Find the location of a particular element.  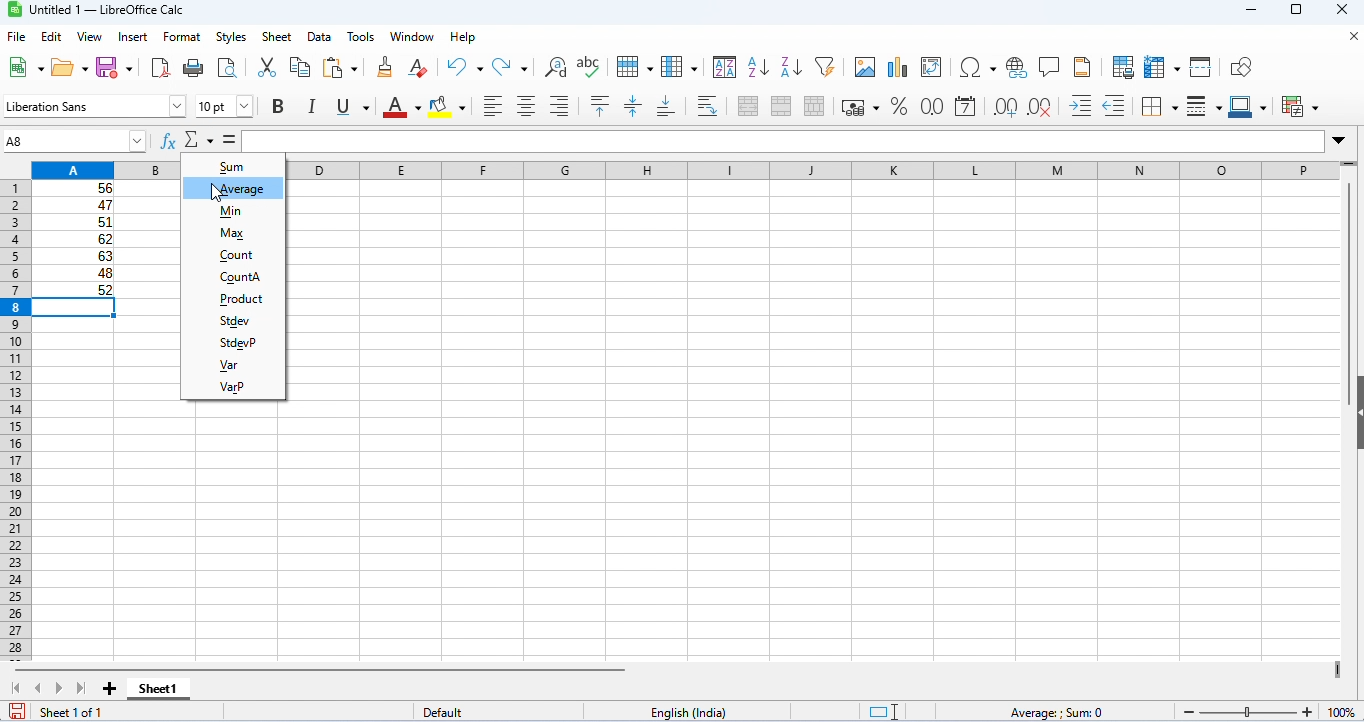

help is located at coordinates (465, 37).